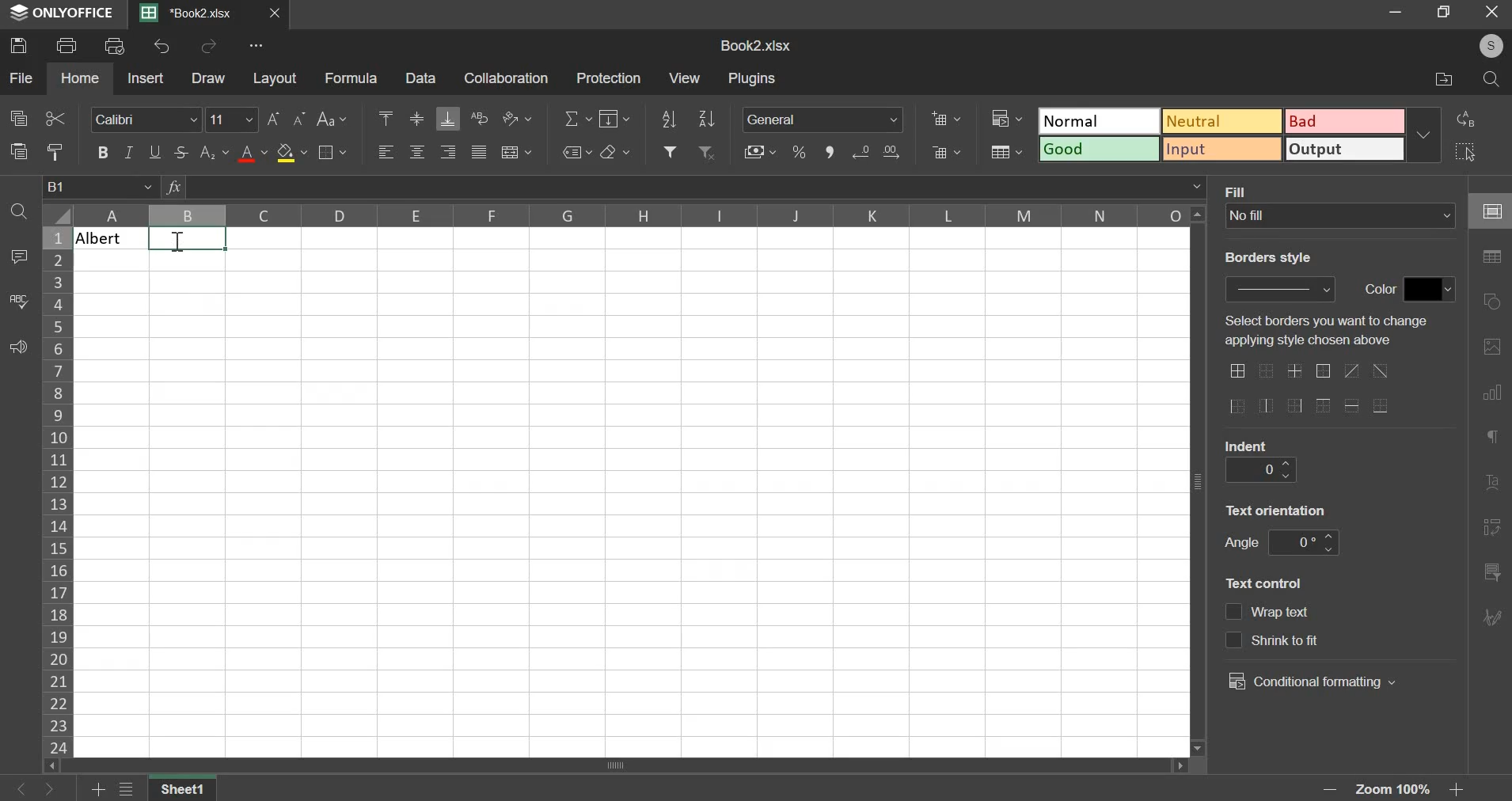  What do you see at coordinates (576, 152) in the screenshot?
I see `named ranges` at bounding box center [576, 152].